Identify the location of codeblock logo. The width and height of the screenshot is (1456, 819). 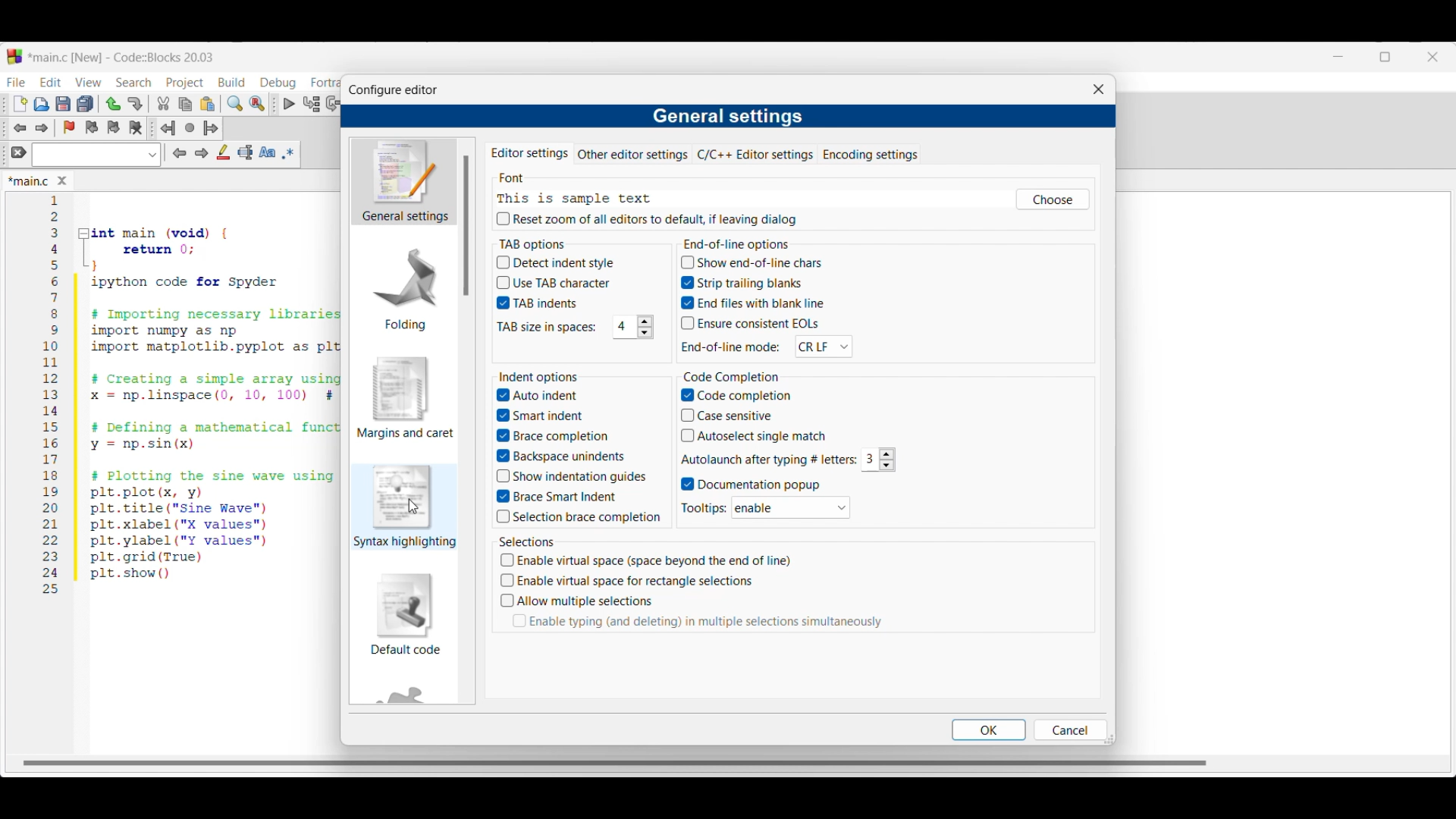
(14, 57).